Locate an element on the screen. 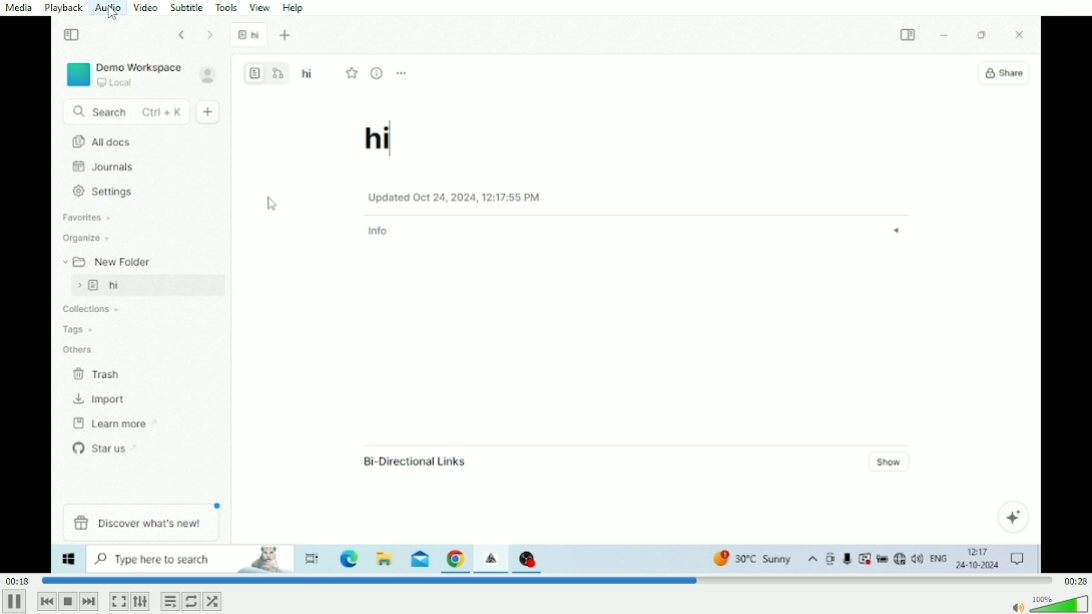 The width and height of the screenshot is (1092, 614). Random is located at coordinates (212, 601).